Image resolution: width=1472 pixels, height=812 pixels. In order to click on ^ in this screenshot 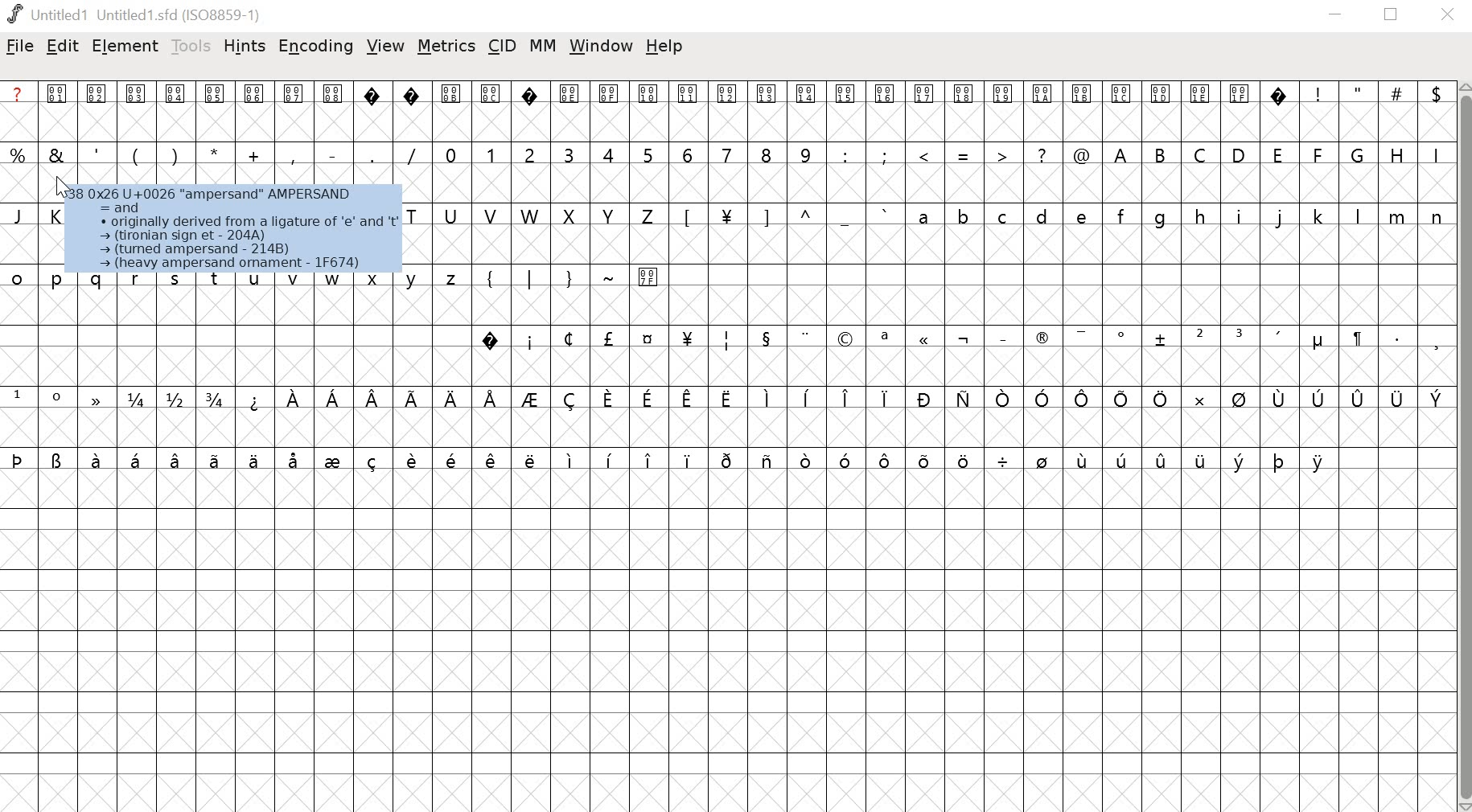, I will do `click(808, 214)`.